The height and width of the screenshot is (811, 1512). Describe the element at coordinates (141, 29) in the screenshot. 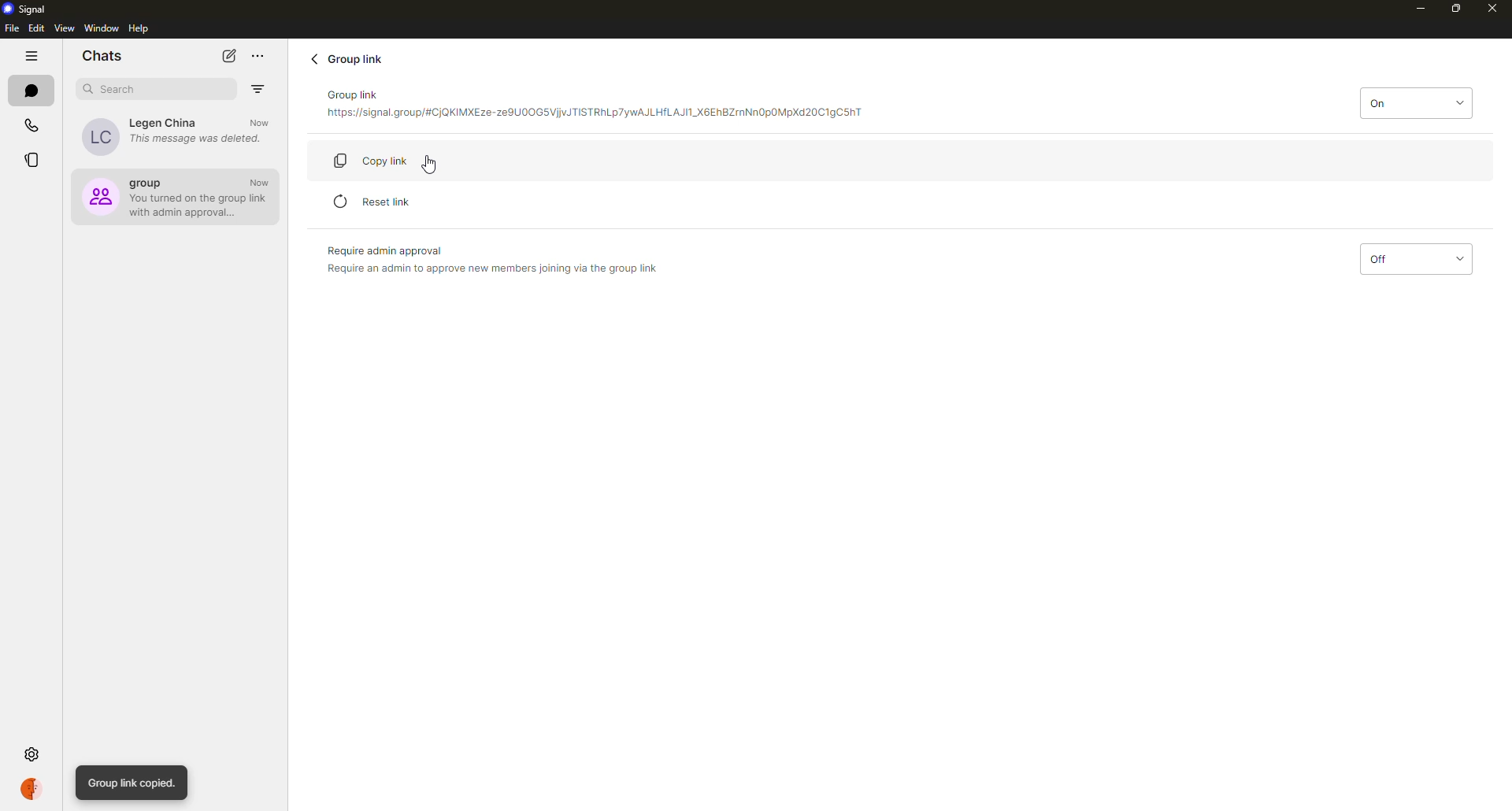

I see `help` at that location.